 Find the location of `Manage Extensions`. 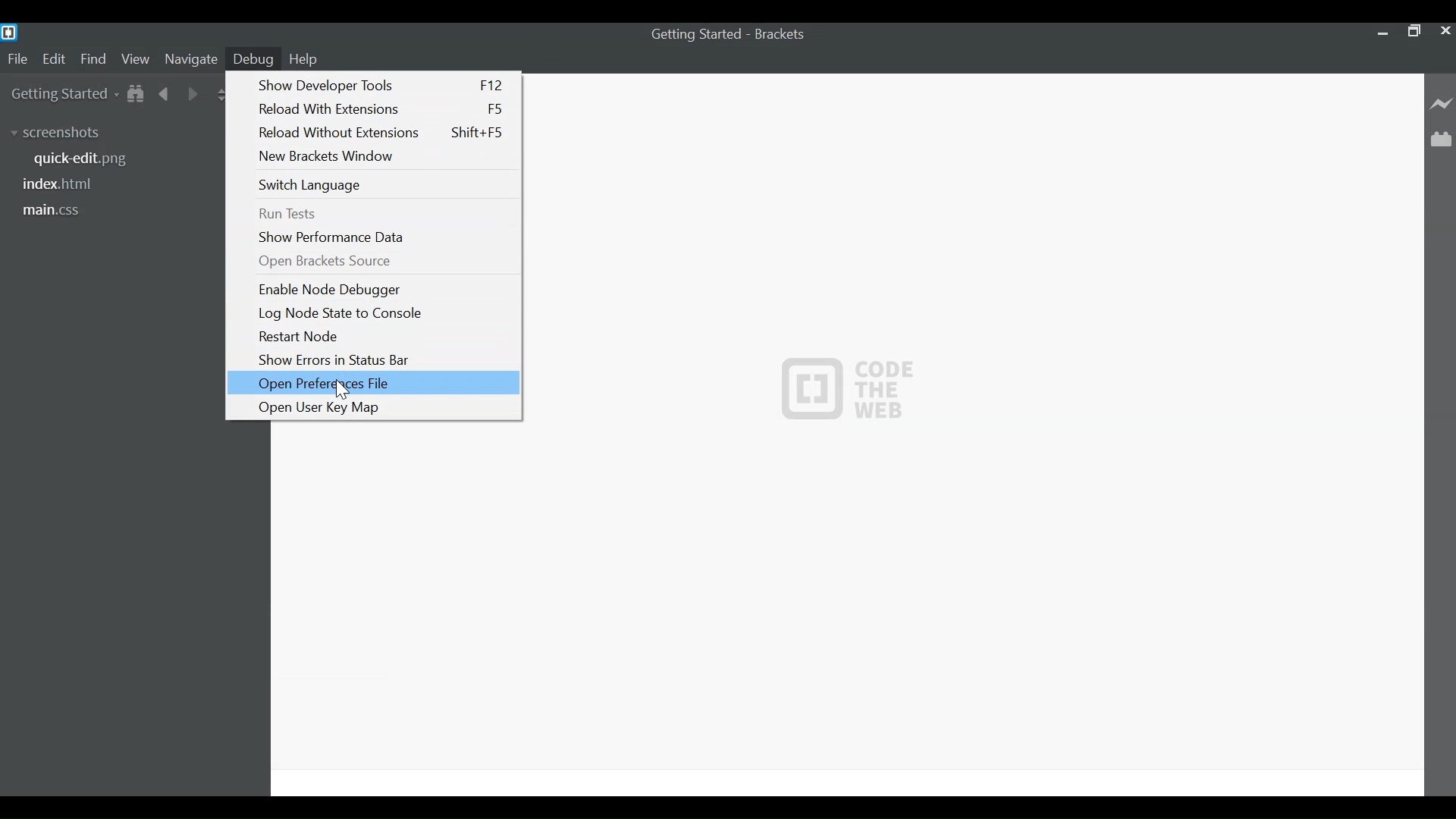

Manage Extensions is located at coordinates (1441, 139).